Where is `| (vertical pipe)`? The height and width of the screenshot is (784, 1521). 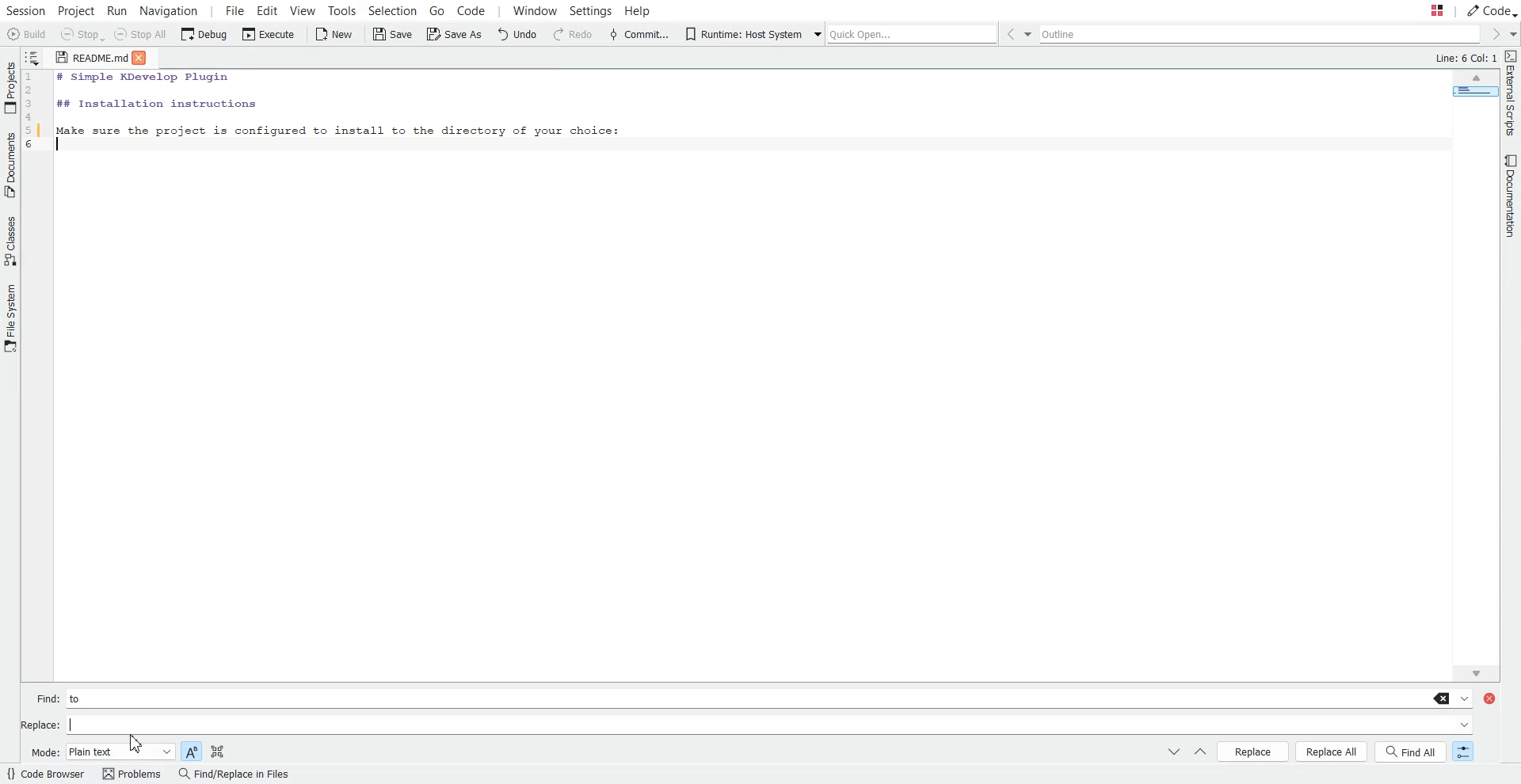 | (vertical pipe) is located at coordinates (81, 725).